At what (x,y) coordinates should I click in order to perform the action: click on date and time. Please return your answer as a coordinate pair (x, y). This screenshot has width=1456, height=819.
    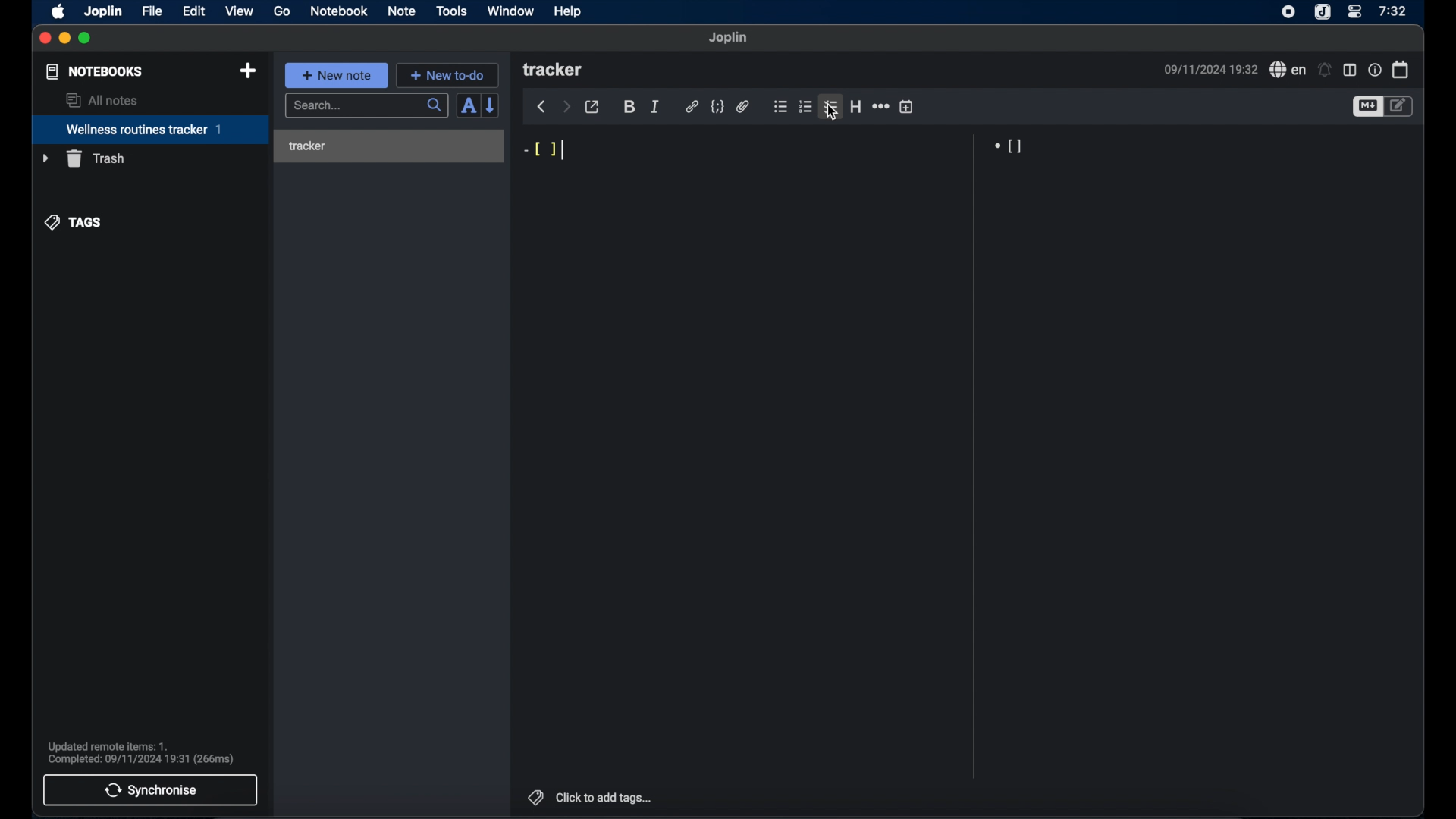
    Looking at the image, I should click on (1208, 69).